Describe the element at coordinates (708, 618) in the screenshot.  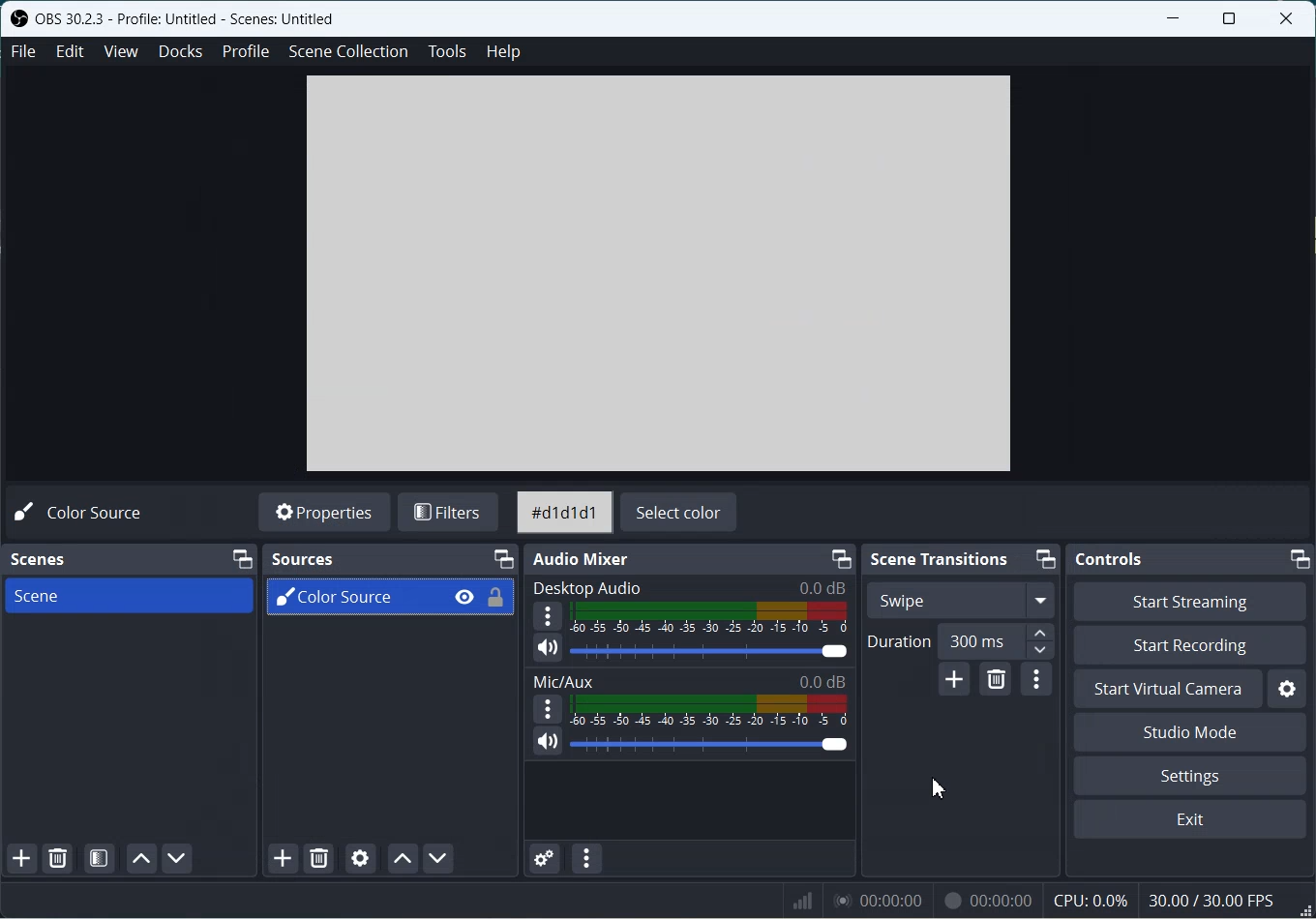
I see `Volume Indicator` at that location.